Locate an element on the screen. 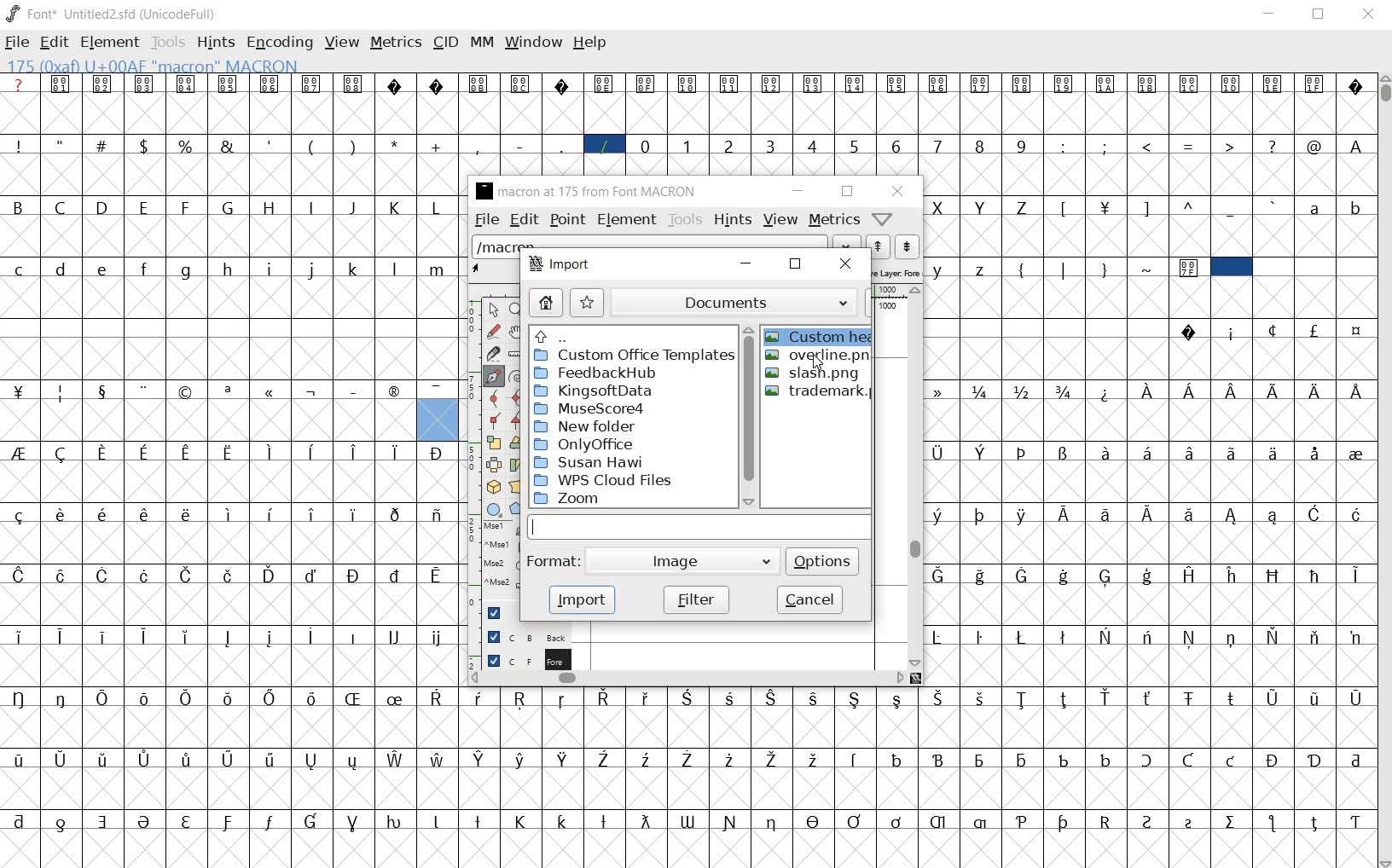 This screenshot has height=868, width=1392. Symbol is located at coordinates (564, 698).